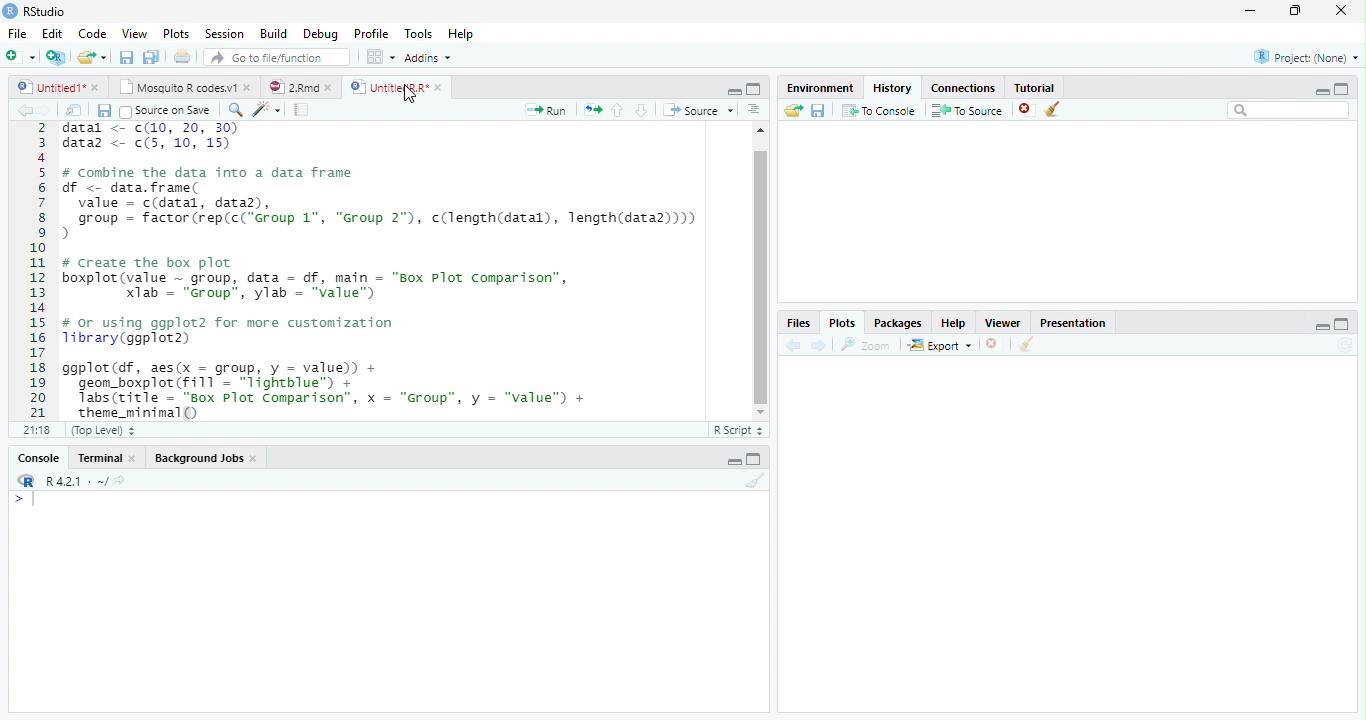 This screenshot has width=1366, height=720. What do you see at coordinates (410, 94) in the screenshot?
I see `cursor` at bounding box center [410, 94].